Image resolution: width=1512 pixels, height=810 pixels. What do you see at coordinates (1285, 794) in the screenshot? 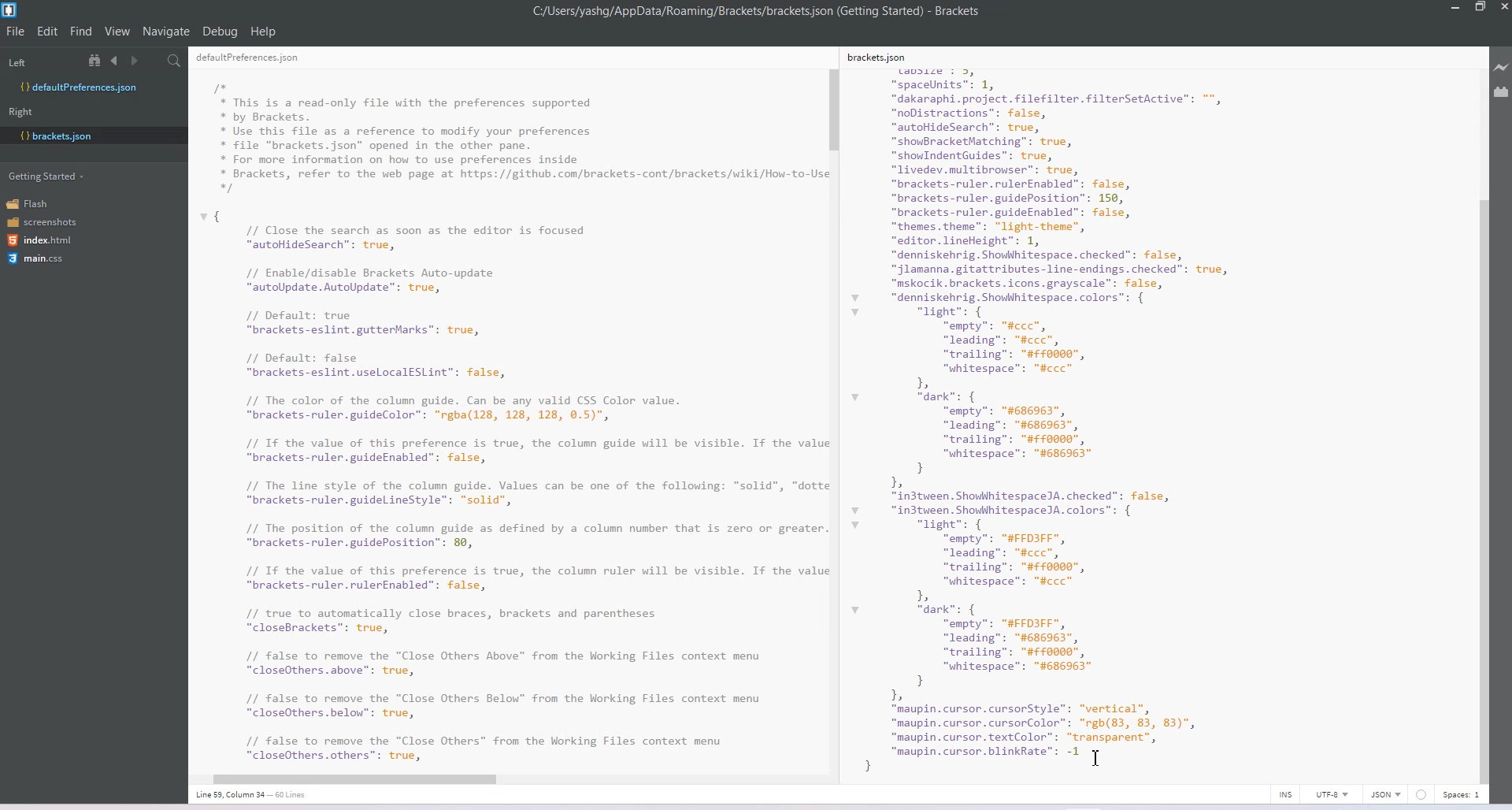
I see `INS` at bounding box center [1285, 794].